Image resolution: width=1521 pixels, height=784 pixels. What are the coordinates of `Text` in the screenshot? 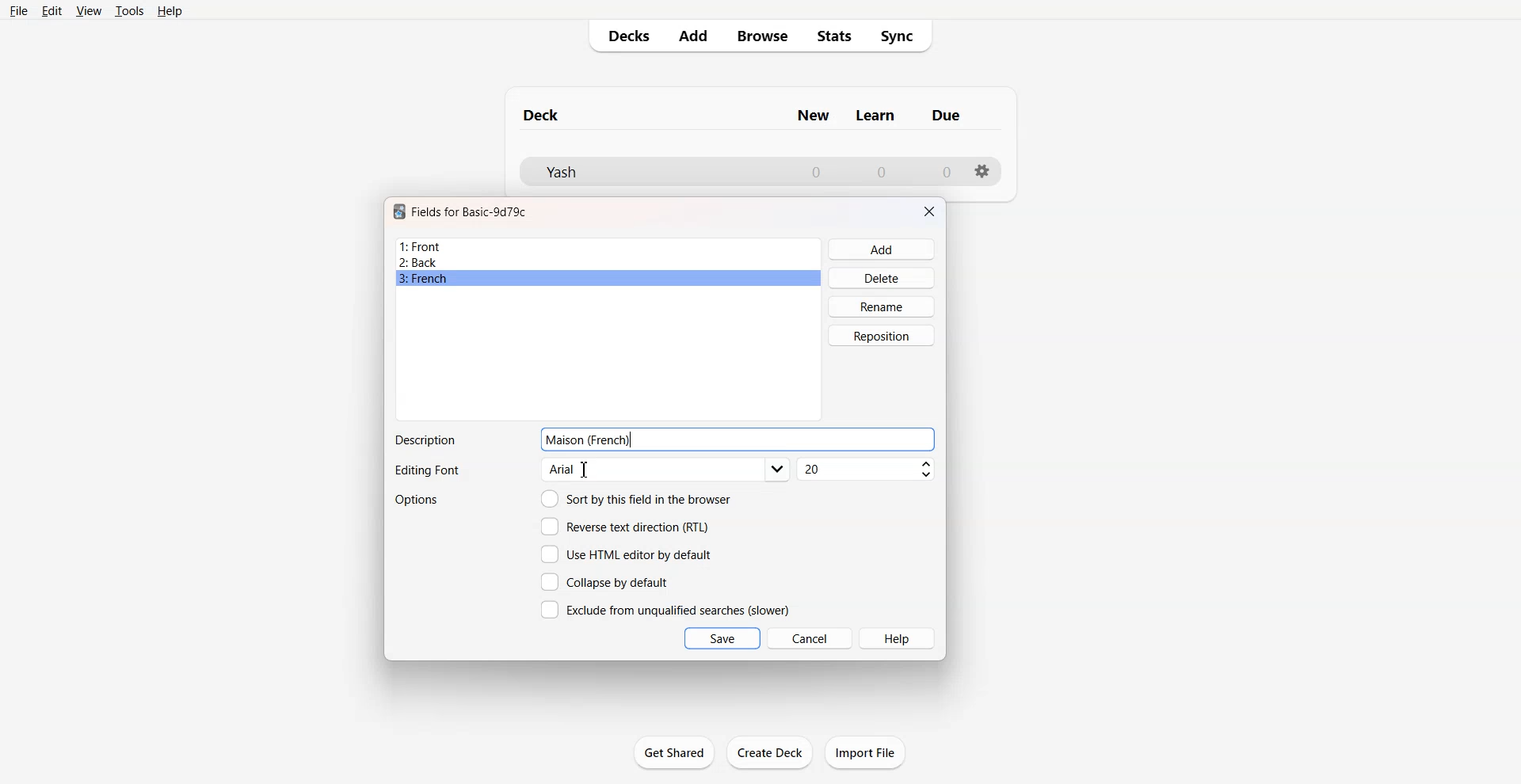 It's located at (425, 440).